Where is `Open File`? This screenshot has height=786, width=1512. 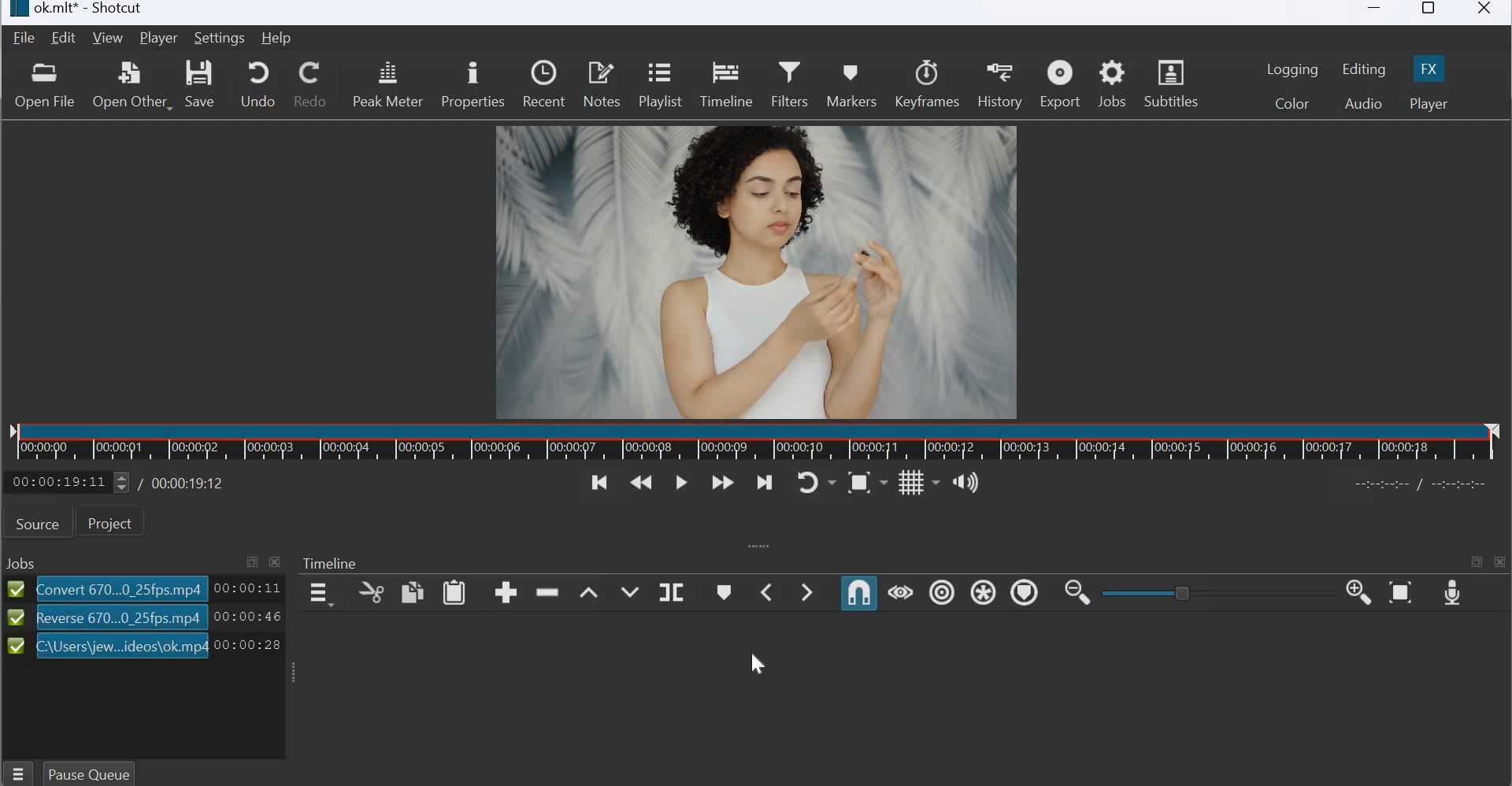
Open File is located at coordinates (44, 87).